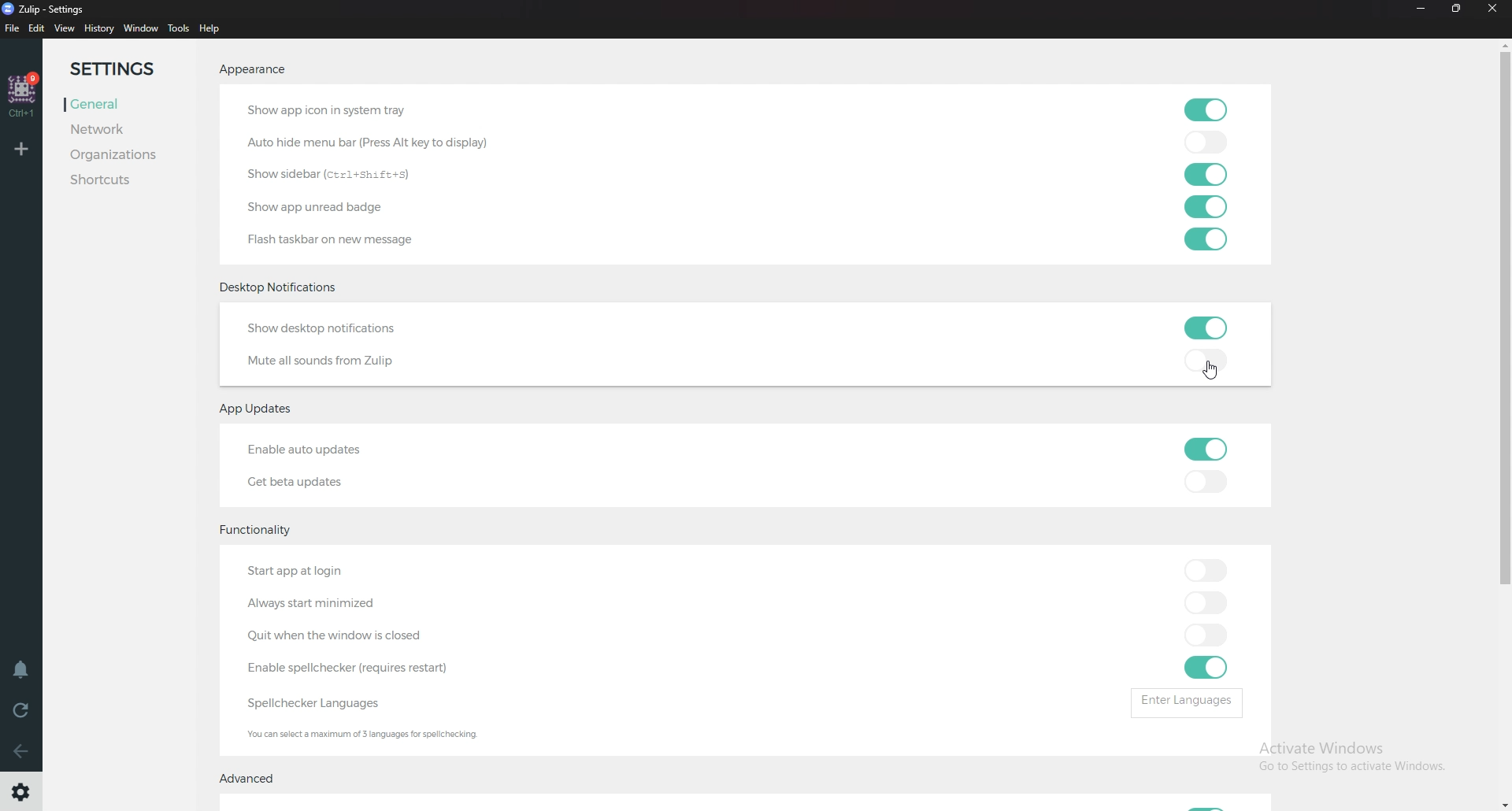 This screenshot has width=1512, height=811. Describe the element at coordinates (65, 28) in the screenshot. I see `View` at that location.